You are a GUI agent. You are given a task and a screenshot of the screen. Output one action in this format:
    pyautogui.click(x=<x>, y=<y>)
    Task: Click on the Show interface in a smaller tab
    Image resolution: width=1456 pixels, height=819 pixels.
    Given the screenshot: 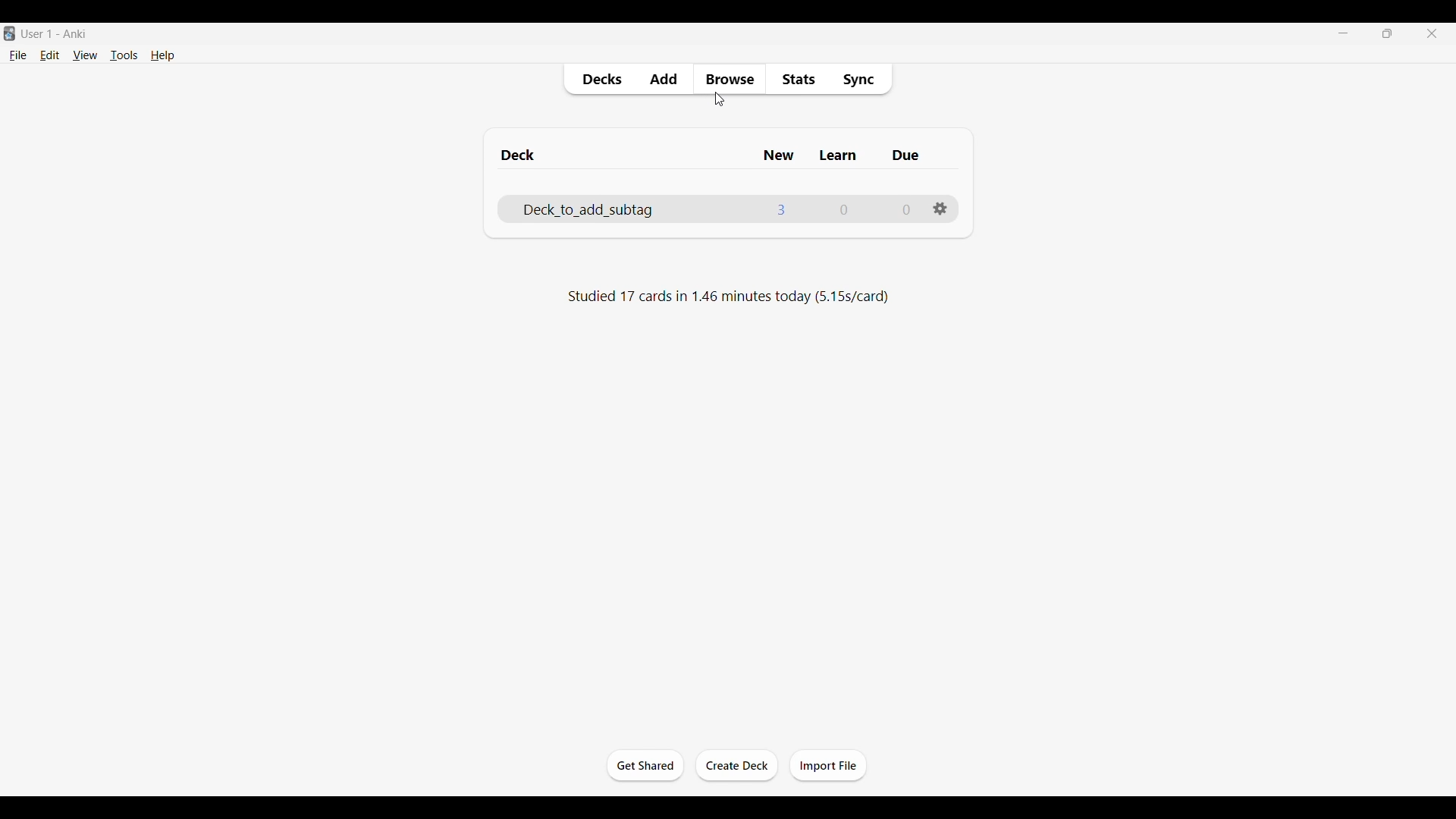 What is the action you would take?
    pyautogui.click(x=1387, y=33)
    